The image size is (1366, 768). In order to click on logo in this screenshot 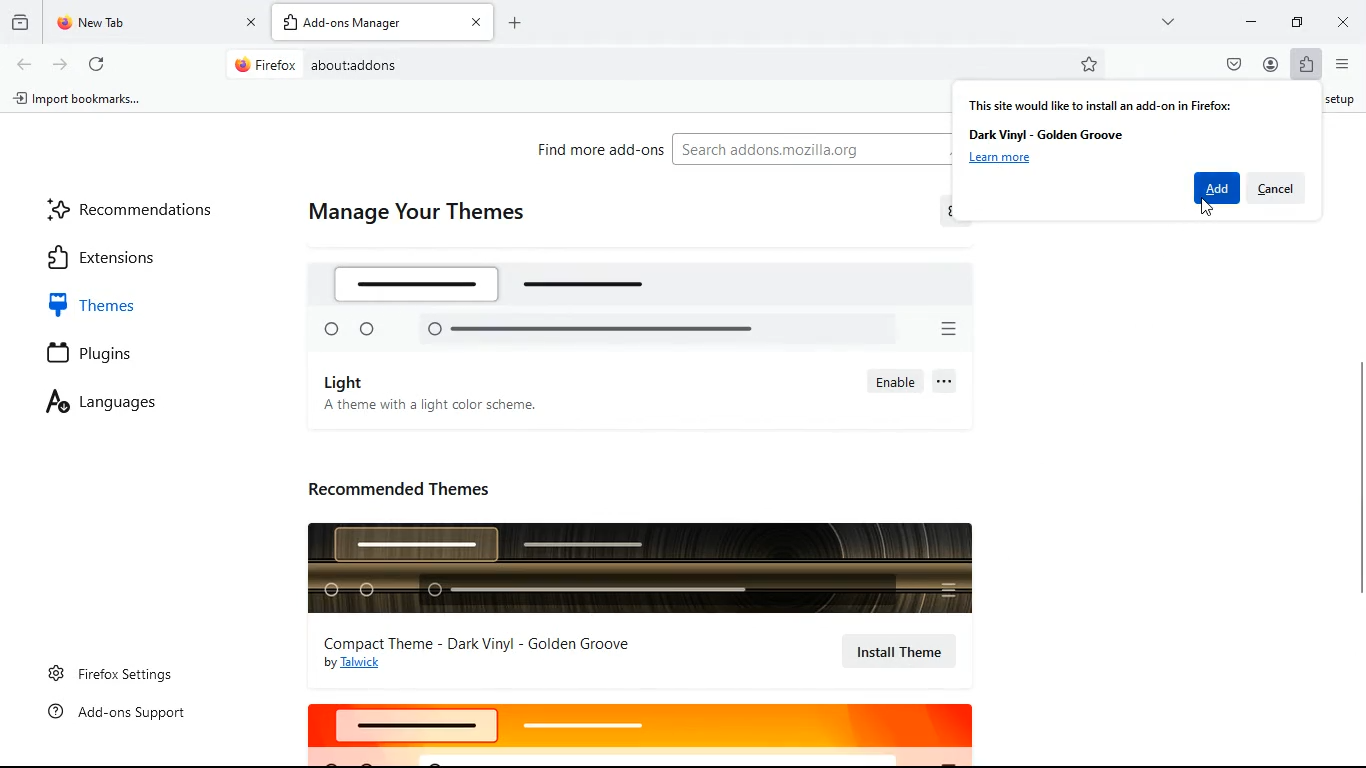, I will do `click(657, 301)`.